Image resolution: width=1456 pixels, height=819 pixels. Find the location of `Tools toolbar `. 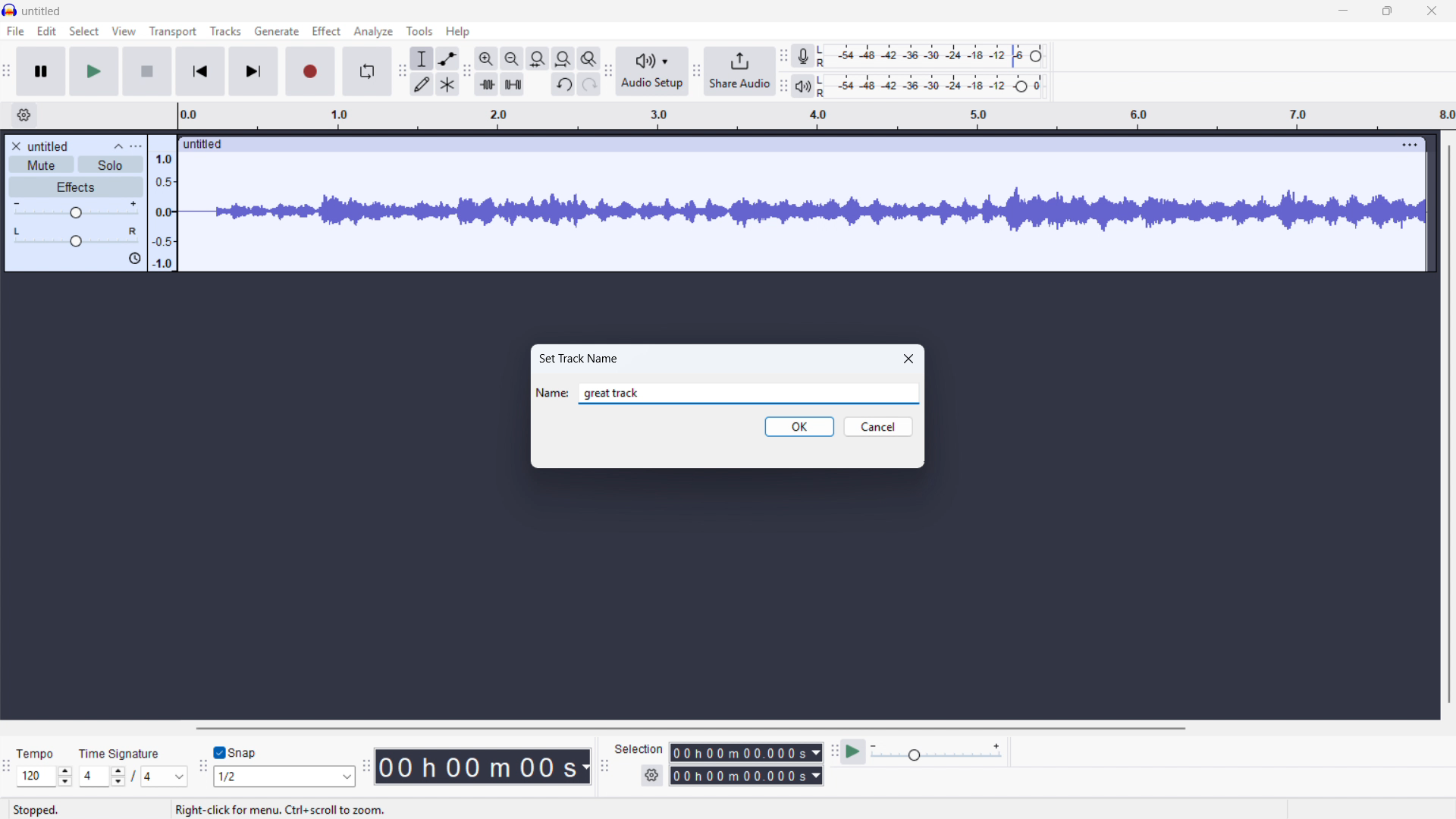

Tools toolbar  is located at coordinates (400, 71).